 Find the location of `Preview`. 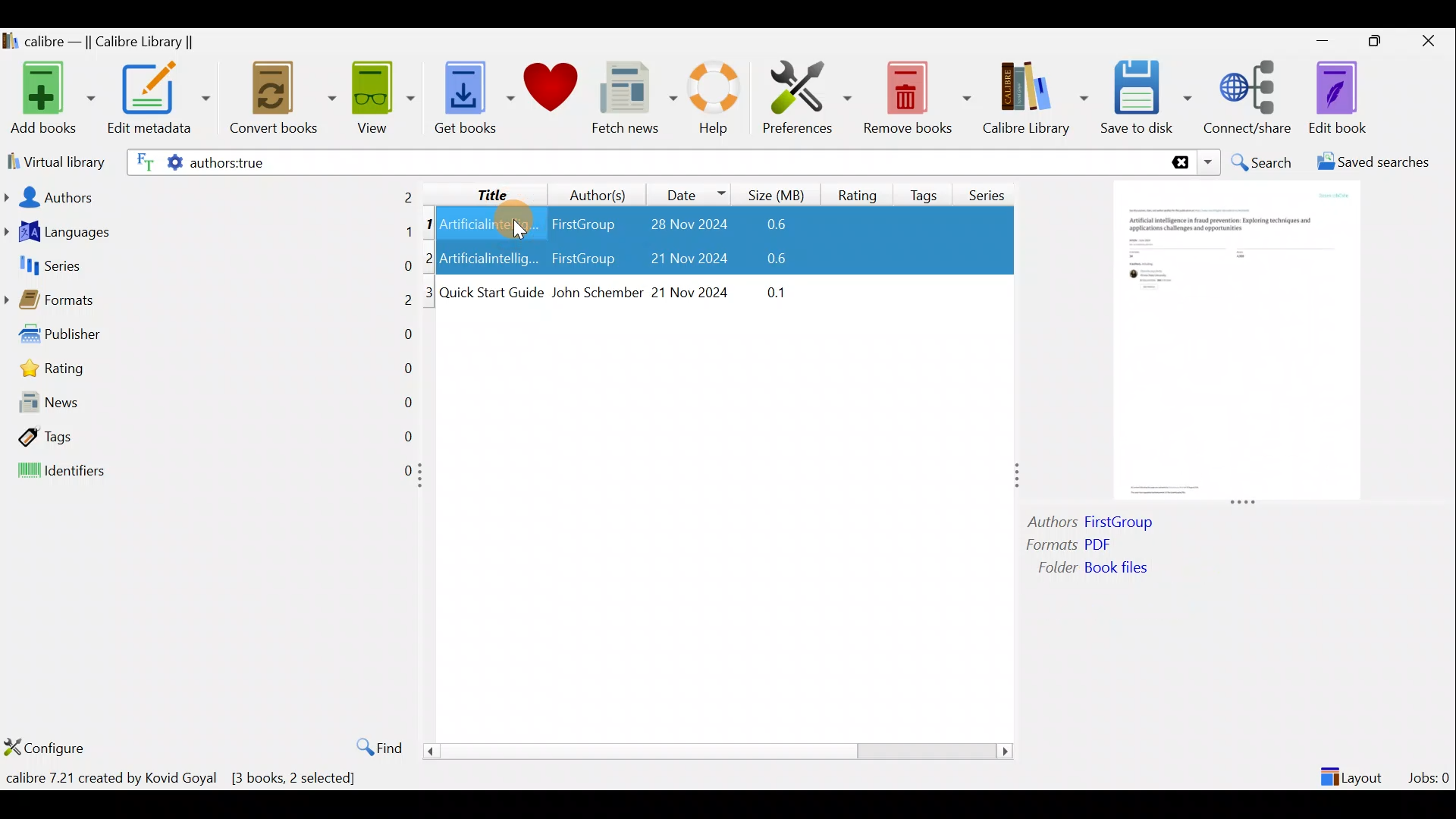

Preview is located at coordinates (1232, 343).